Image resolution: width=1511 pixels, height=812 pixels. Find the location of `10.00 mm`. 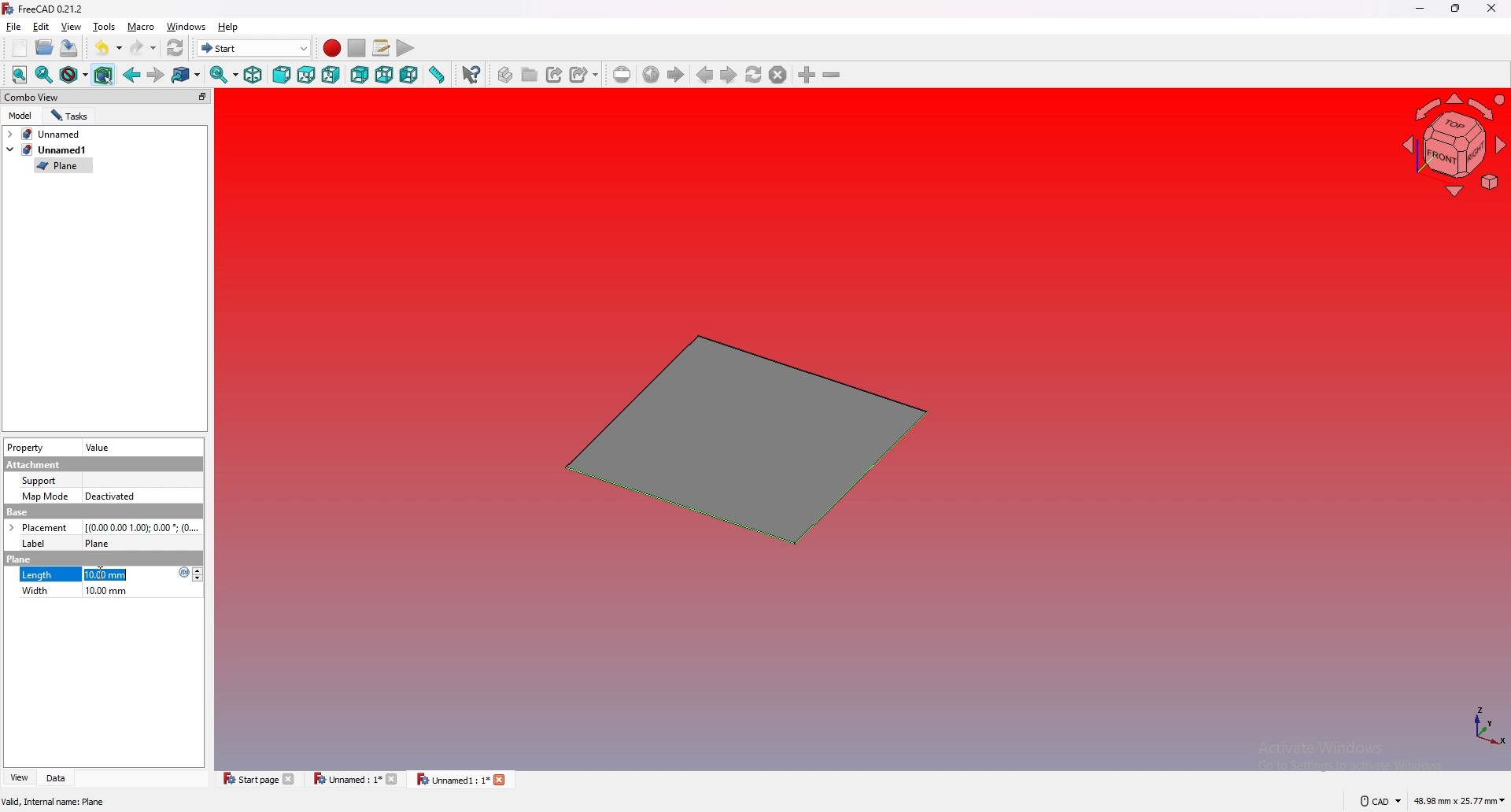

10.00 mm is located at coordinates (104, 592).